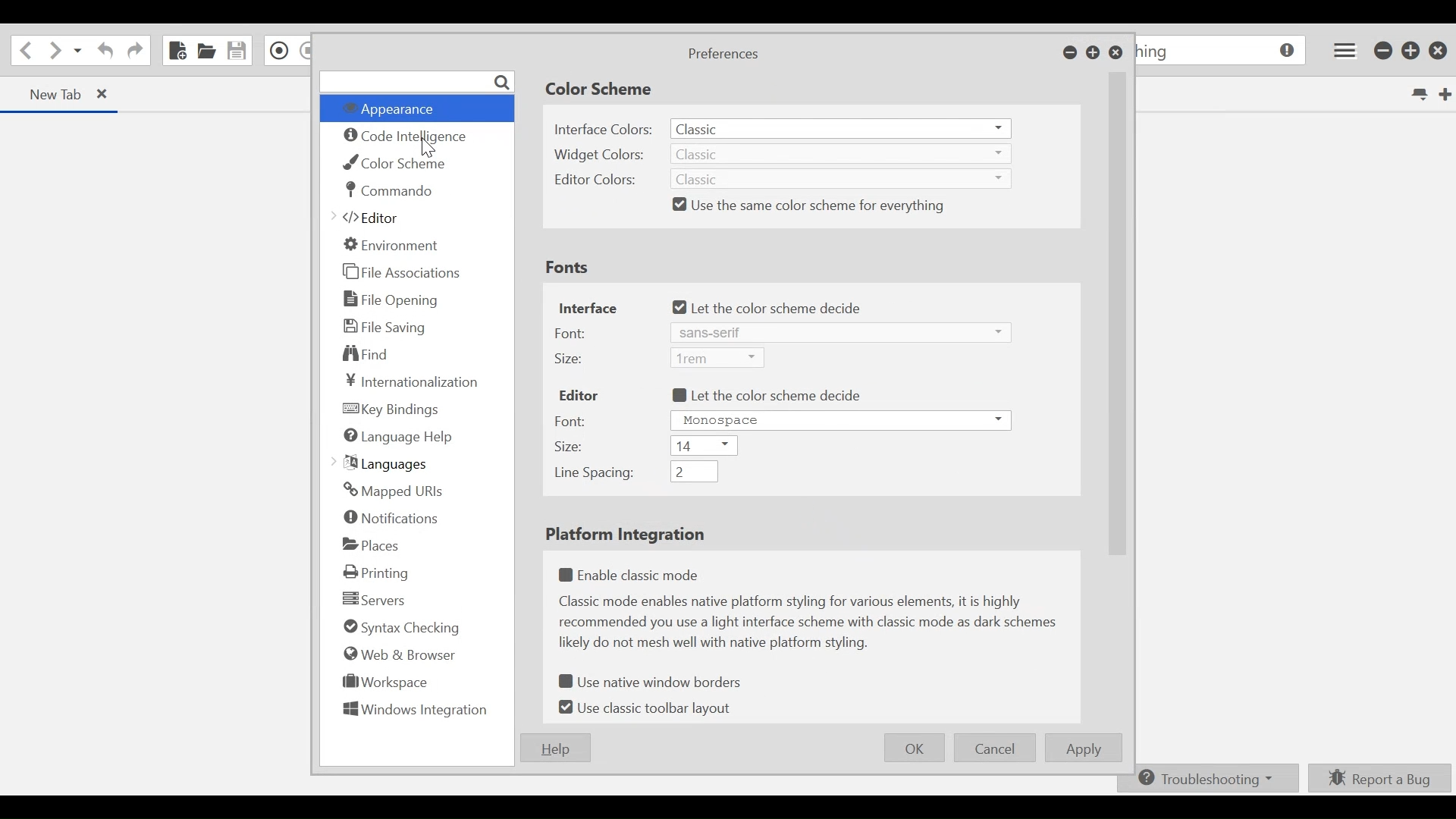 The width and height of the screenshot is (1456, 819). I want to click on Fonts, so click(566, 267).